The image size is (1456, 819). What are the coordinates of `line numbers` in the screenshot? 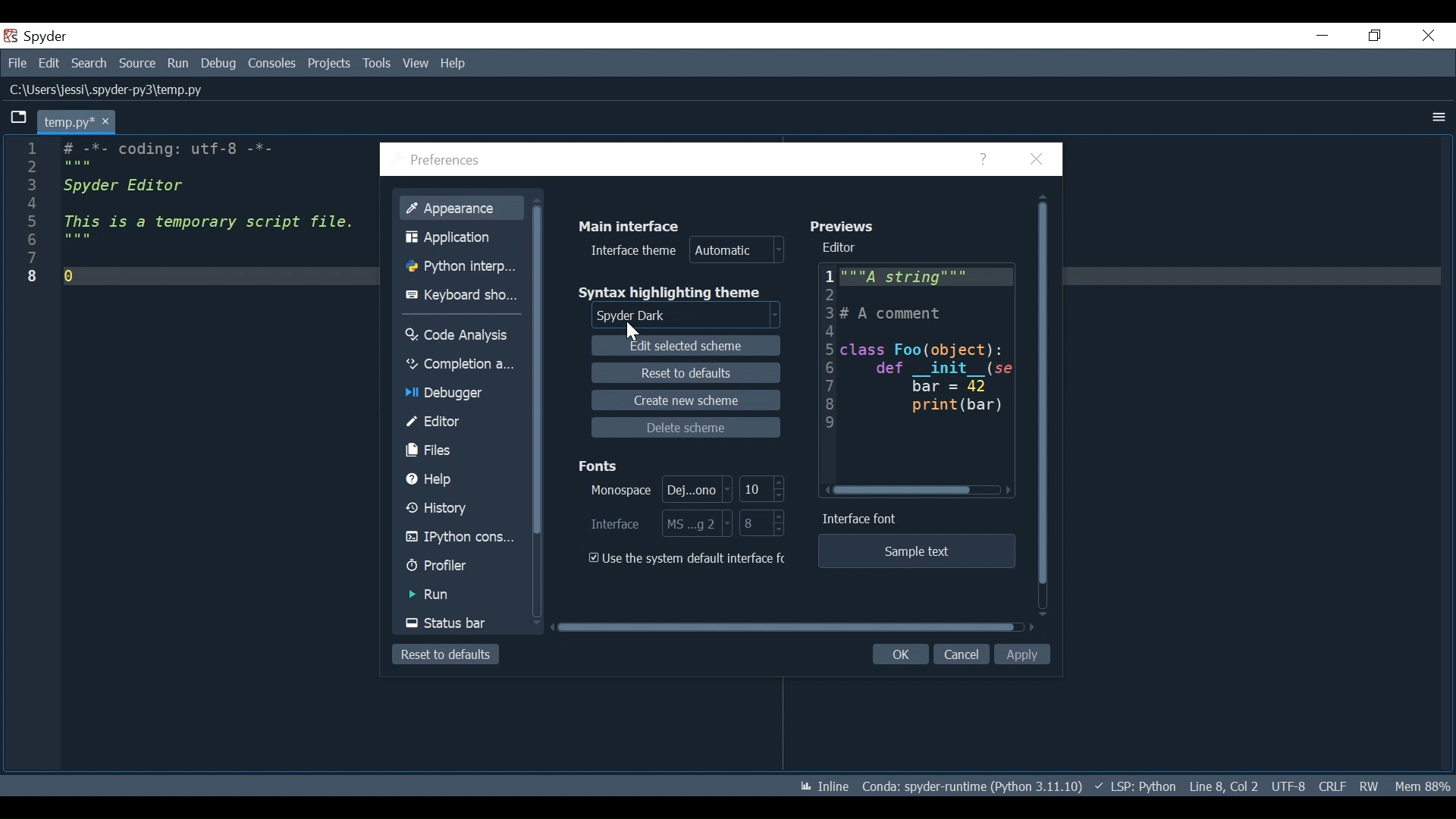 It's located at (30, 214).